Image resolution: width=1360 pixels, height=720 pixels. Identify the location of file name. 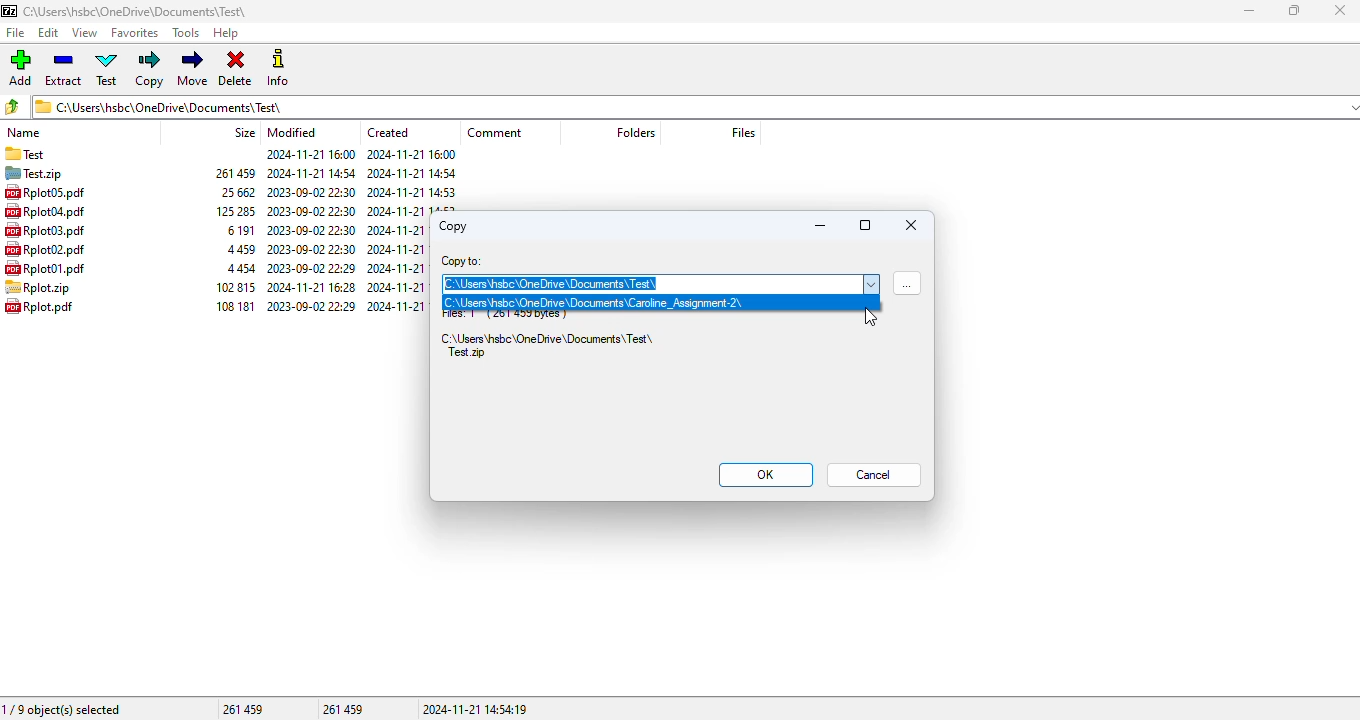
(39, 306).